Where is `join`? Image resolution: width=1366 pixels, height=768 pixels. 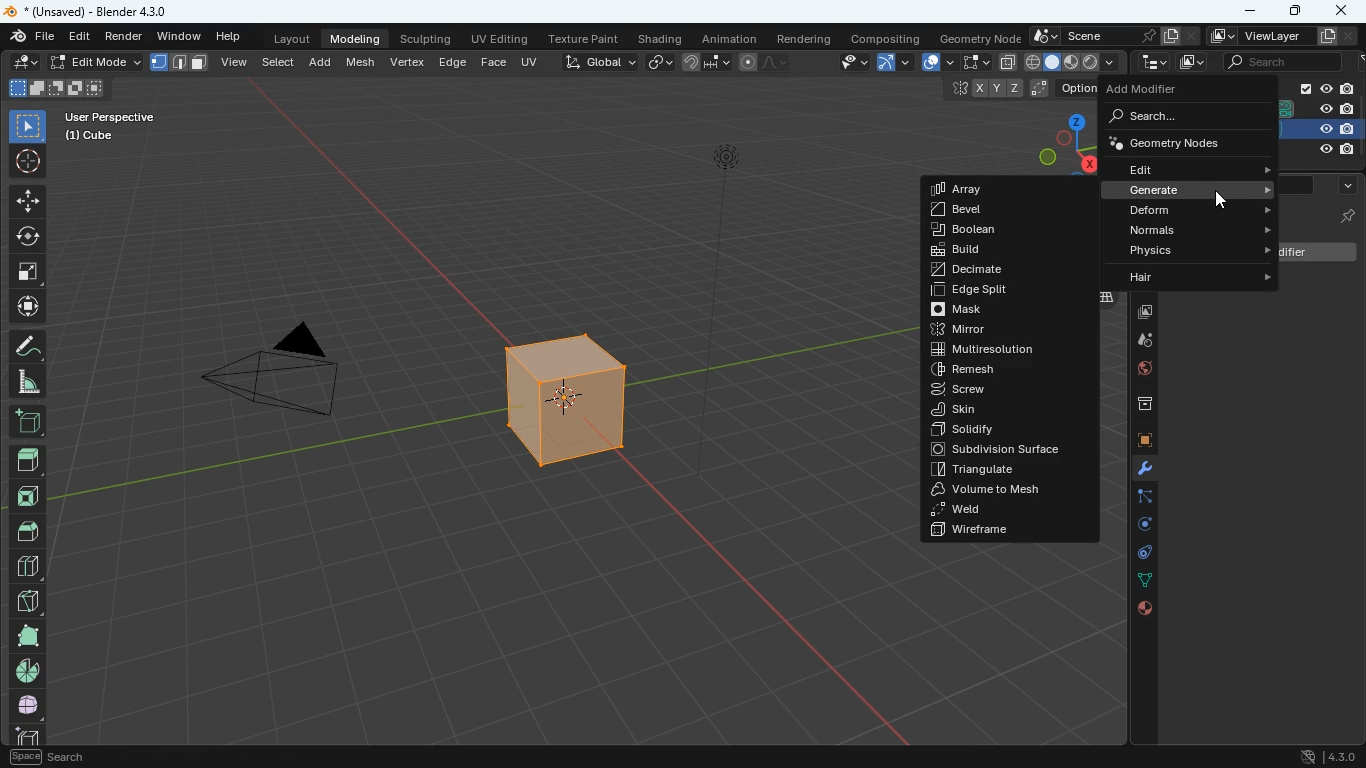
join is located at coordinates (703, 61).